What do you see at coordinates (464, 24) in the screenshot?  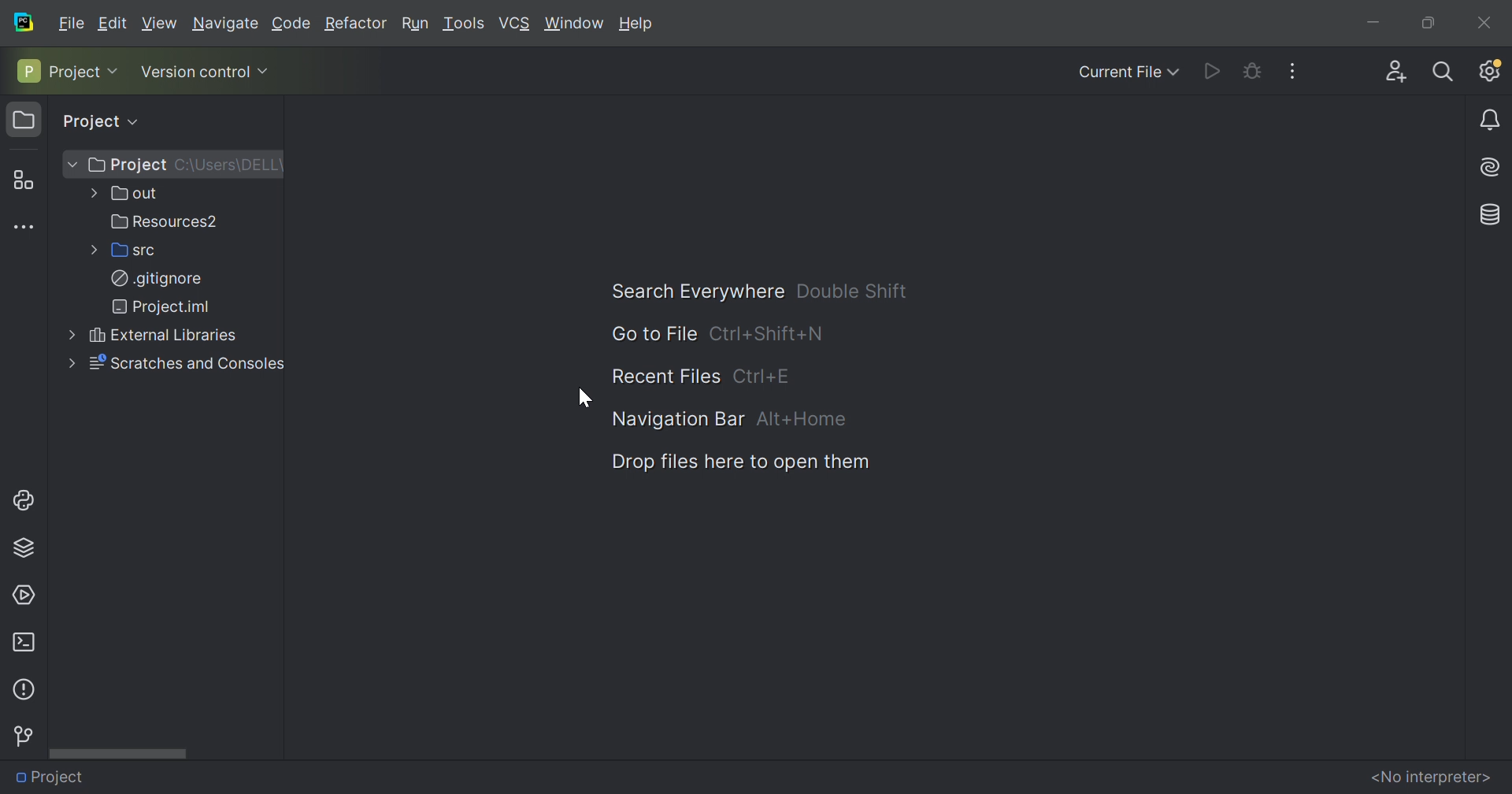 I see `Tools` at bounding box center [464, 24].